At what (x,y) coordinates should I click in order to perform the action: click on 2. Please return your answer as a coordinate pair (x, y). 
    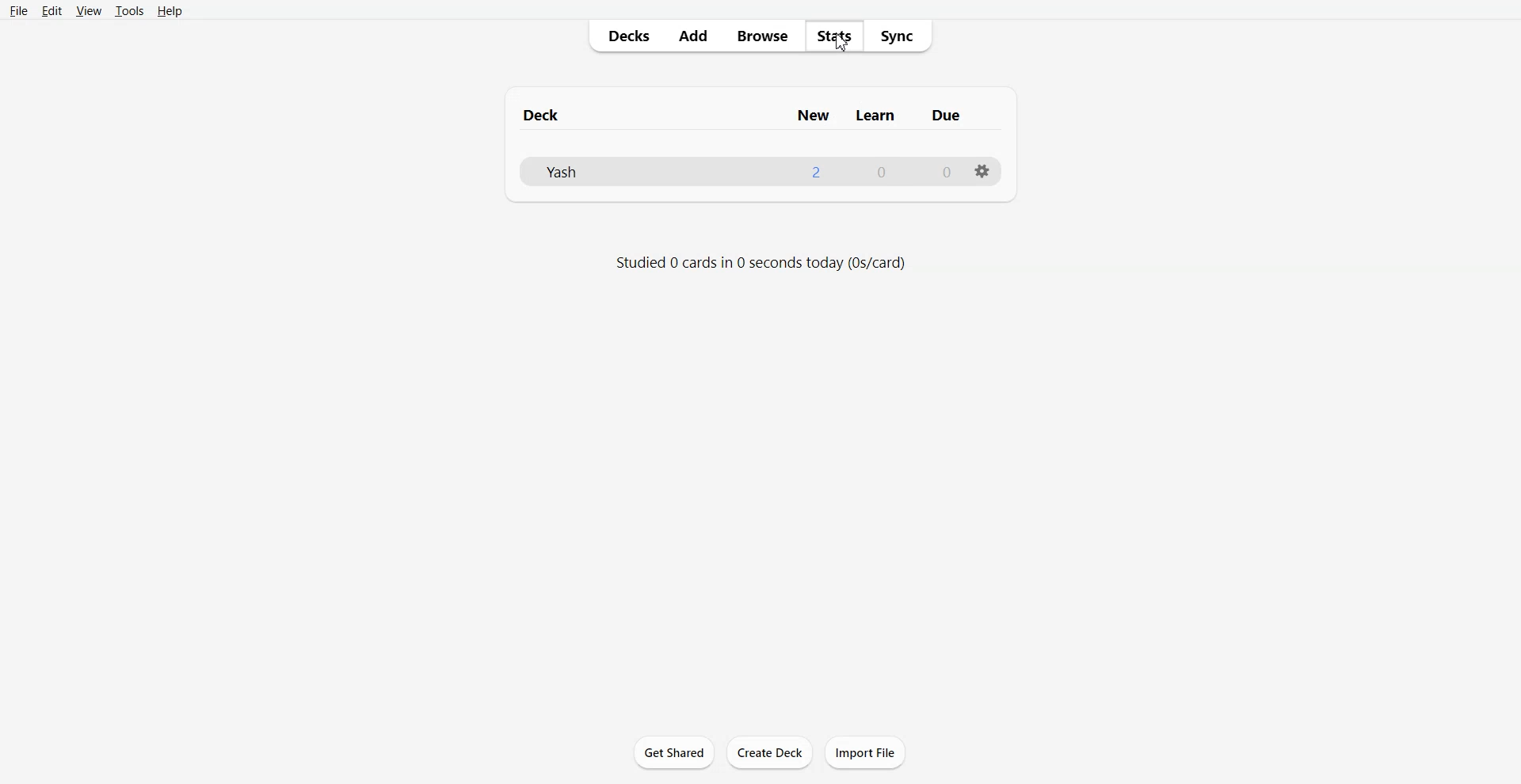
    Looking at the image, I should click on (817, 172).